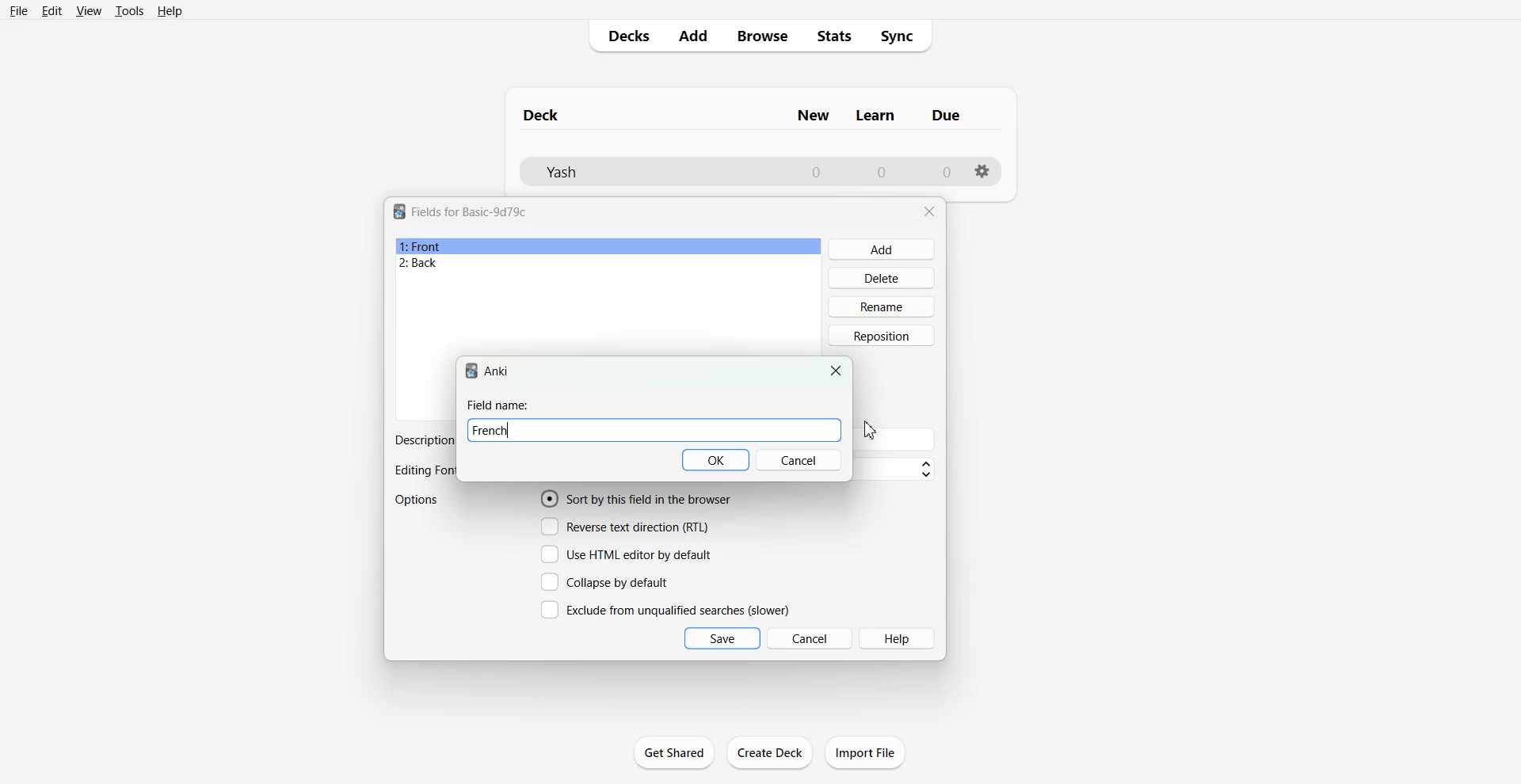 The image size is (1521, 784). I want to click on Text, so click(422, 440).